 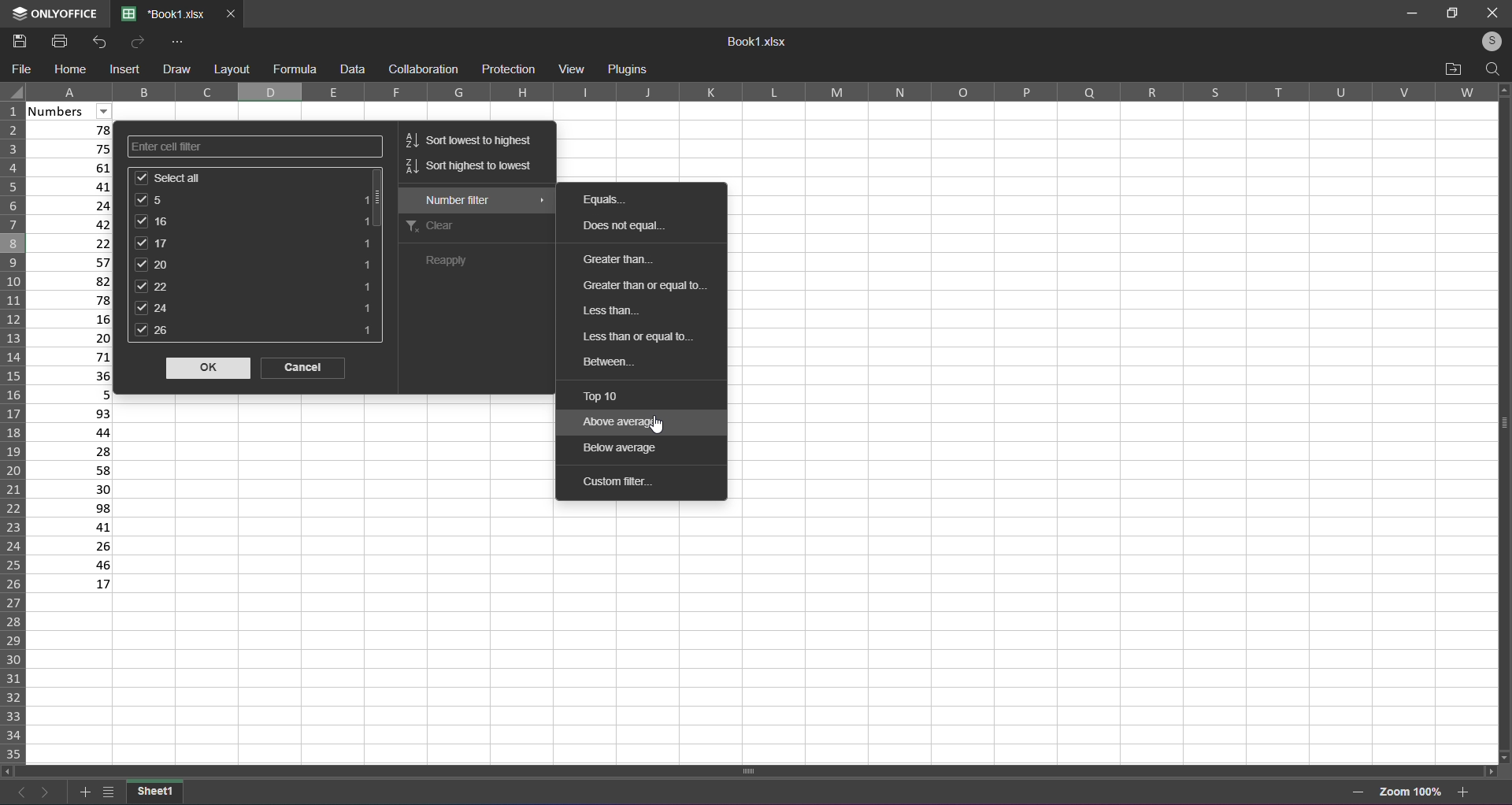 I want to click on 5, so click(x=254, y=199).